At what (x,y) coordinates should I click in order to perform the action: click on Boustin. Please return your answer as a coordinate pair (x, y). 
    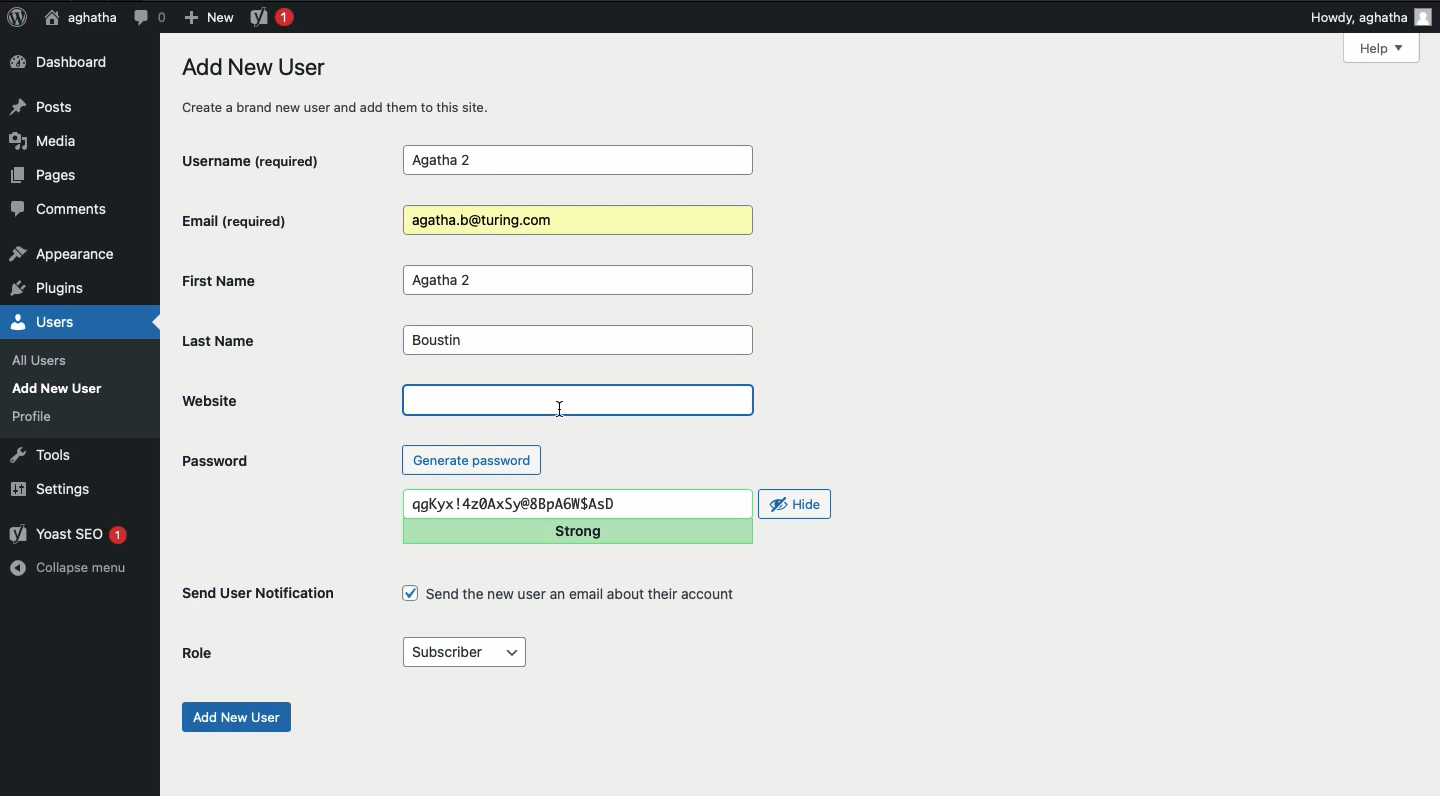
    Looking at the image, I should click on (575, 341).